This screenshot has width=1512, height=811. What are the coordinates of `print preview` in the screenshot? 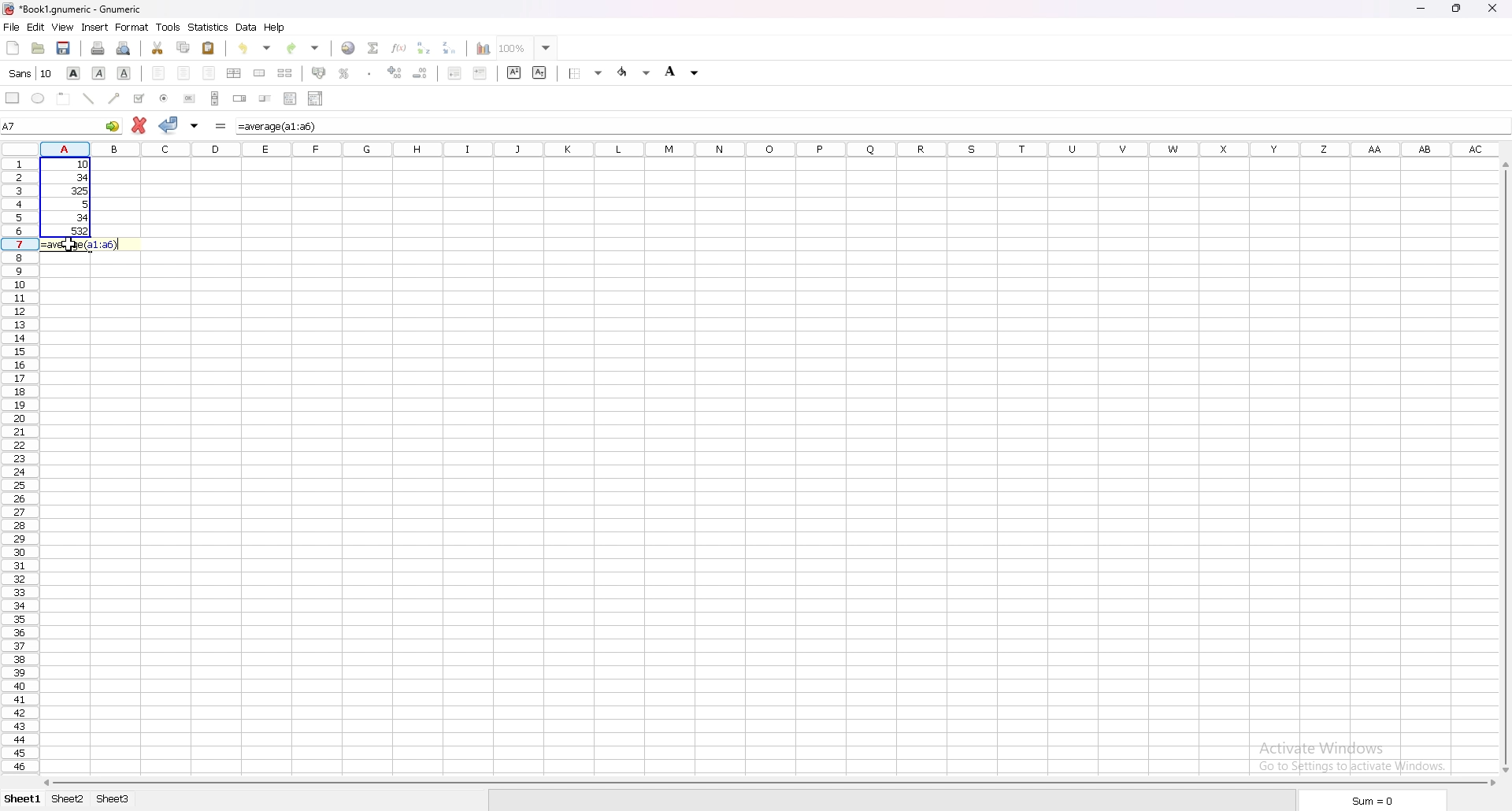 It's located at (124, 48).